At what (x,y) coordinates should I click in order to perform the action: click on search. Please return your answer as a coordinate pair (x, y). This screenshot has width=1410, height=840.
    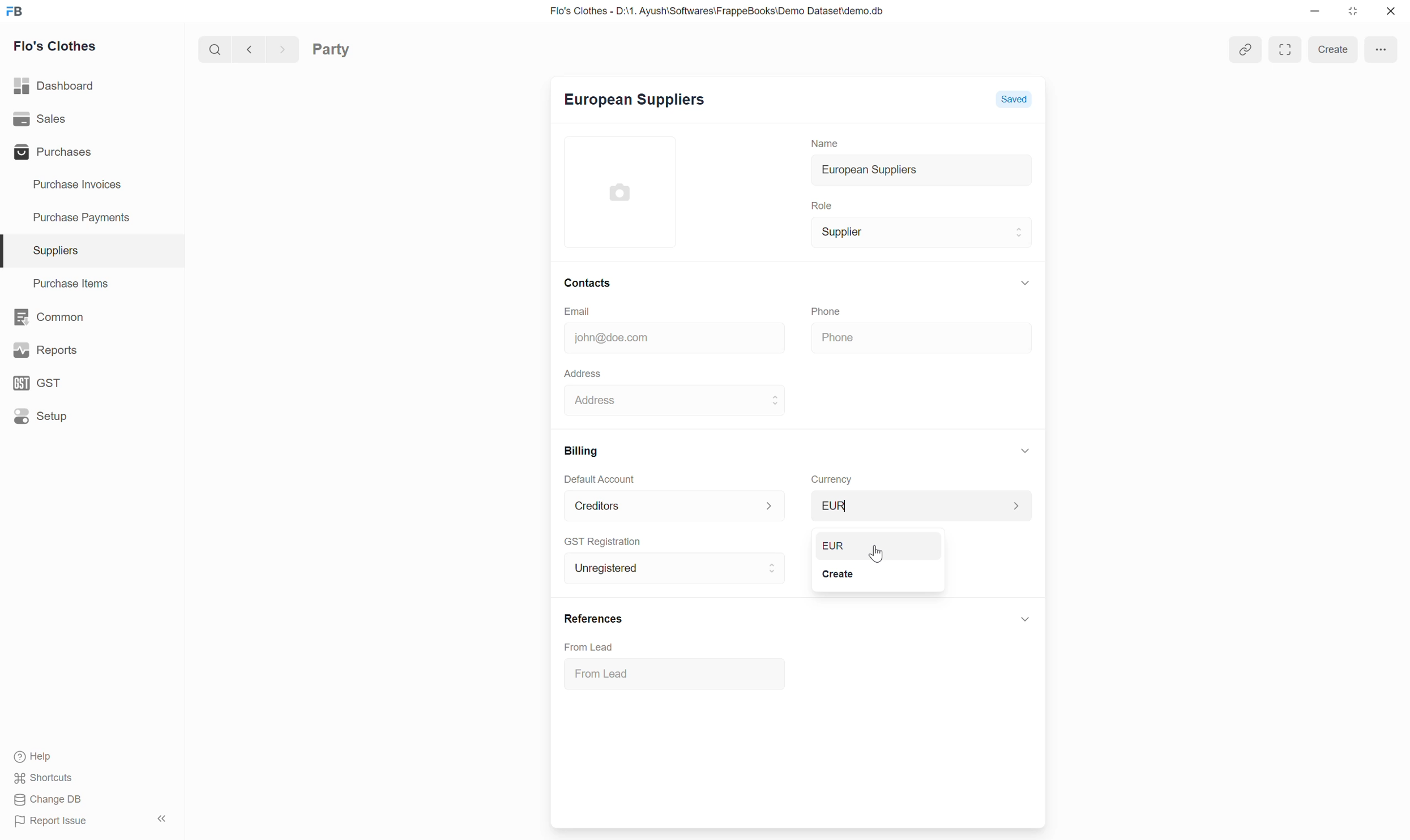
    Looking at the image, I should click on (210, 48).